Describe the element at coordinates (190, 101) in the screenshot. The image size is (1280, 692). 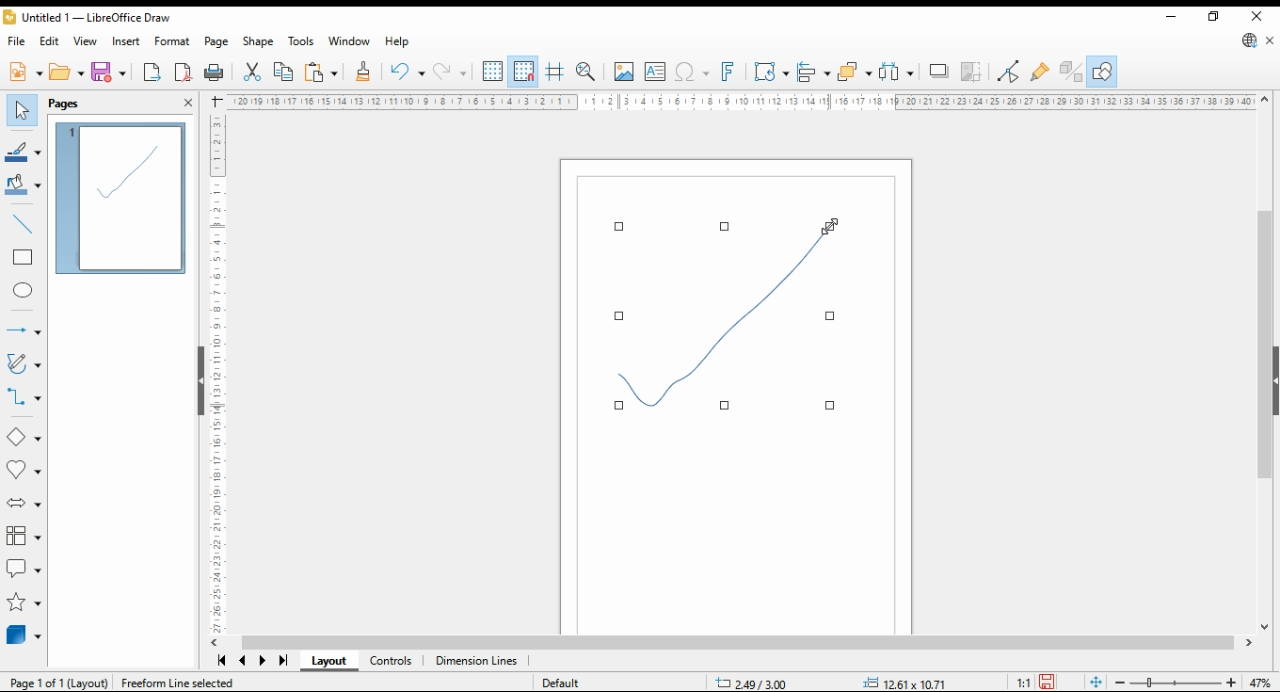
I see `close pane` at that location.